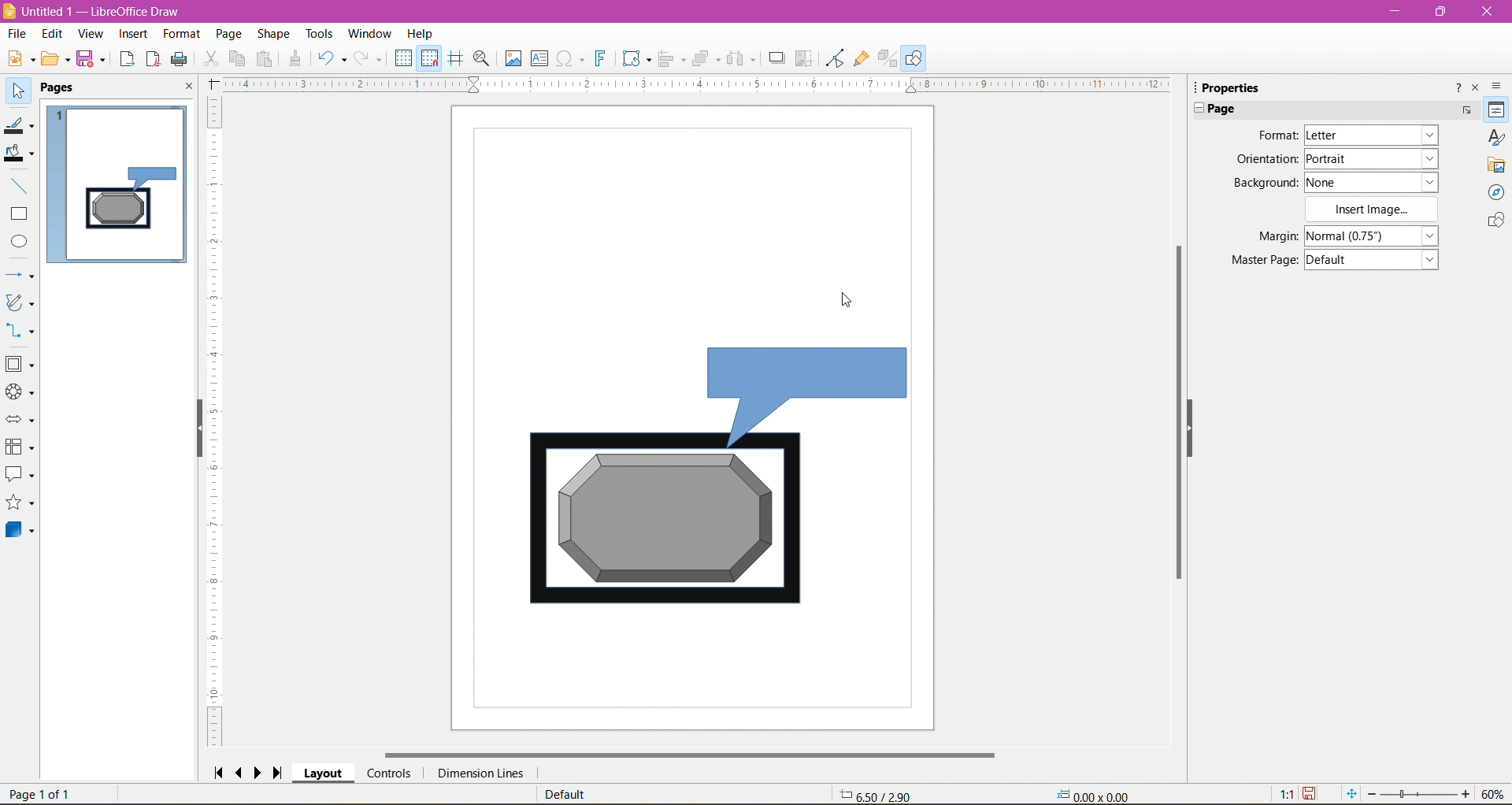  What do you see at coordinates (565, 795) in the screenshot?
I see `Default` at bounding box center [565, 795].